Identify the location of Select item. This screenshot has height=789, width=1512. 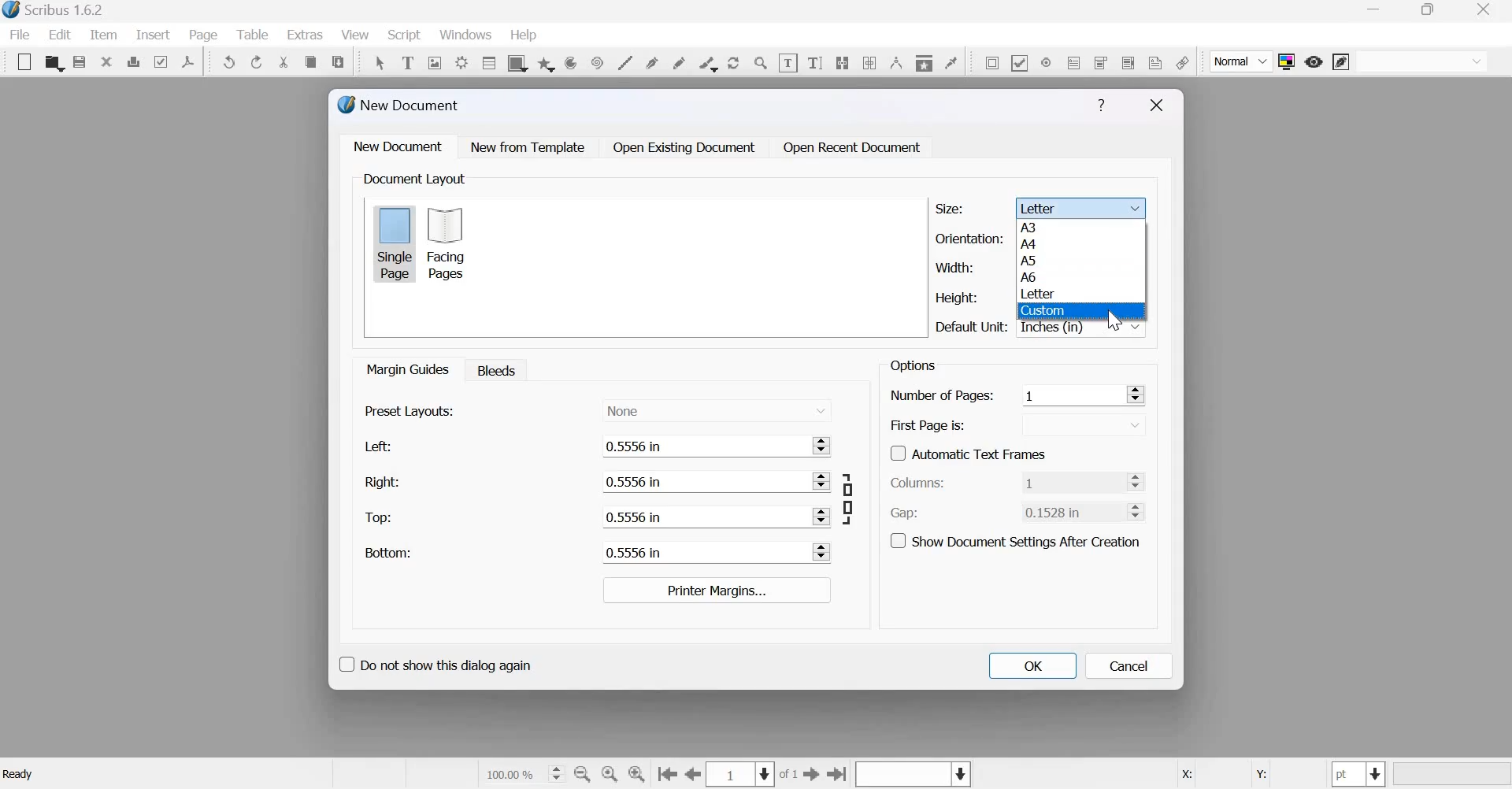
(380, 61).